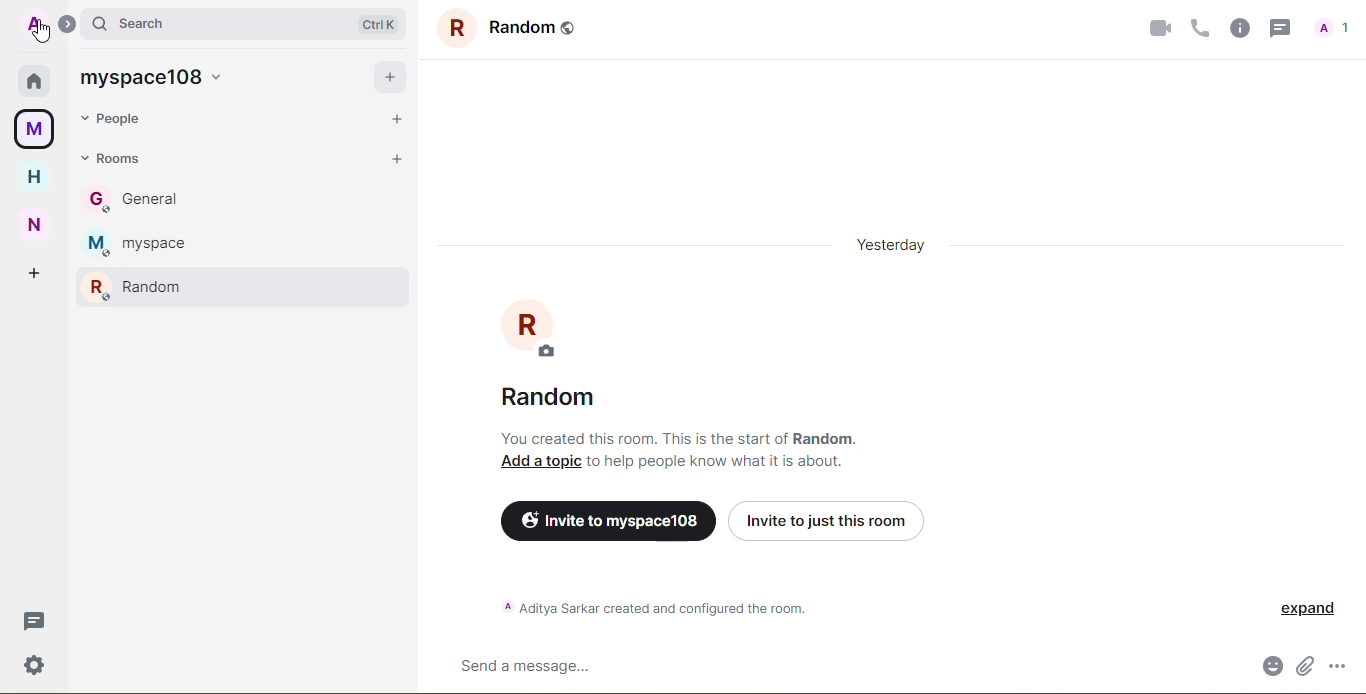 This screenshot has height=694, width=1366. What do you see at coordinates (652, 605) in the screenshot?
I see `info` at bounding box center [652, 605].